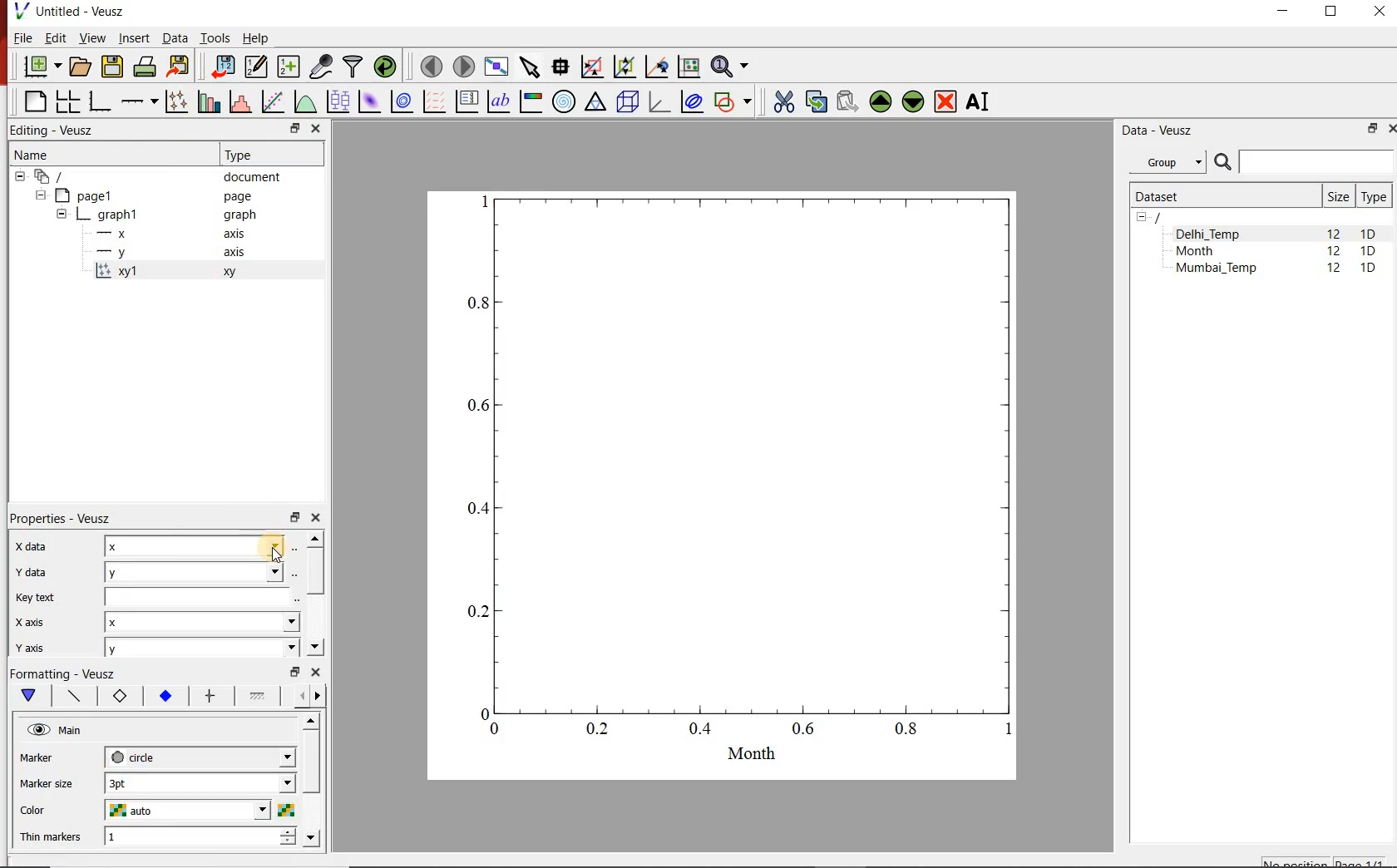 The image size is (1397, 868). Describe the element at coordinates (657, 101) in the screenshot. I see `3d graph` at that location.